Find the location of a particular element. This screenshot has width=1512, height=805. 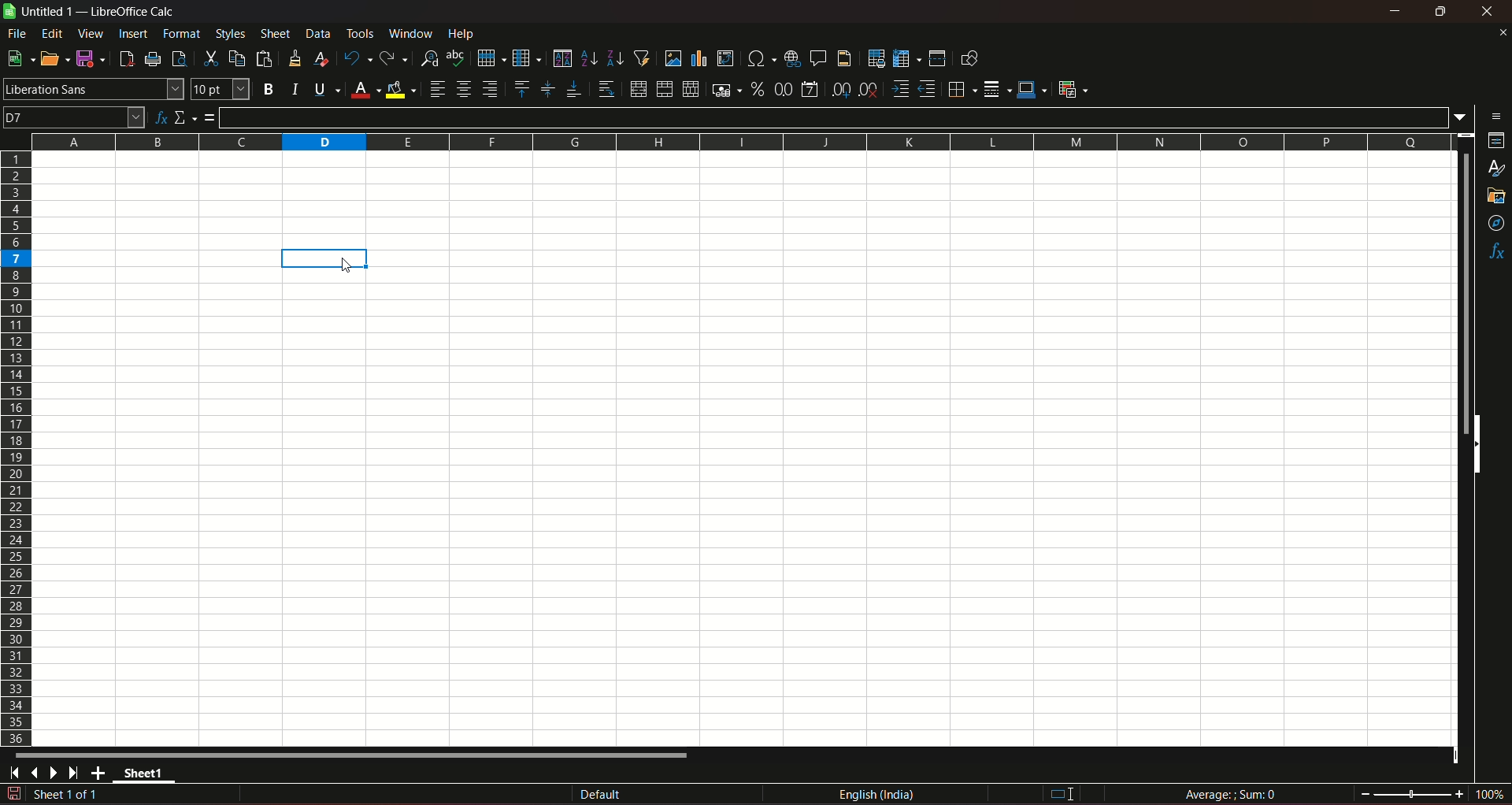

italic is located at coordinates (295, 88).